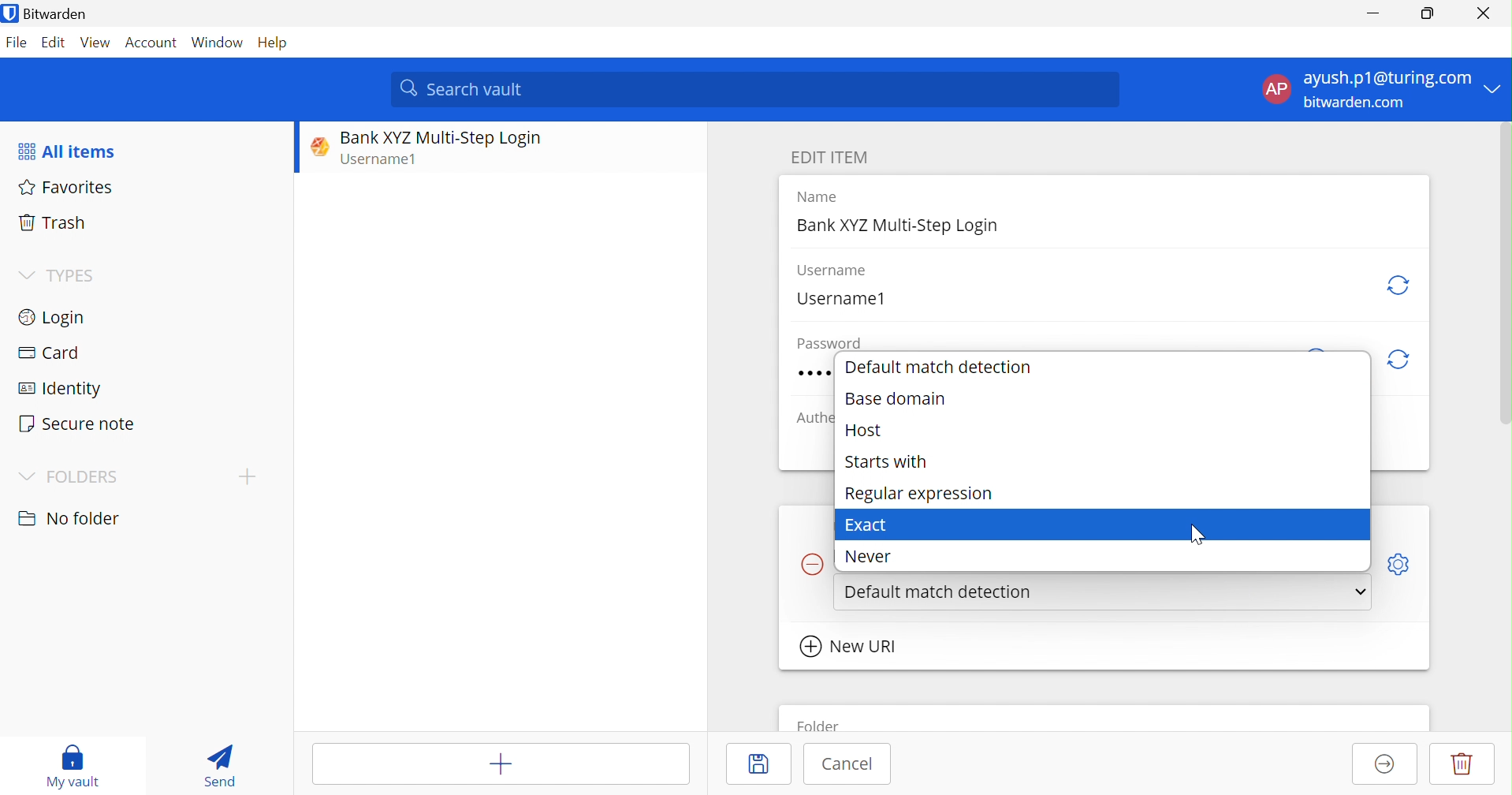 The height and width of the screenshot is (795, 1512). Describe the element at coordinates (1402, 360) in the screenshot. I see `Regenerate password` at that location.